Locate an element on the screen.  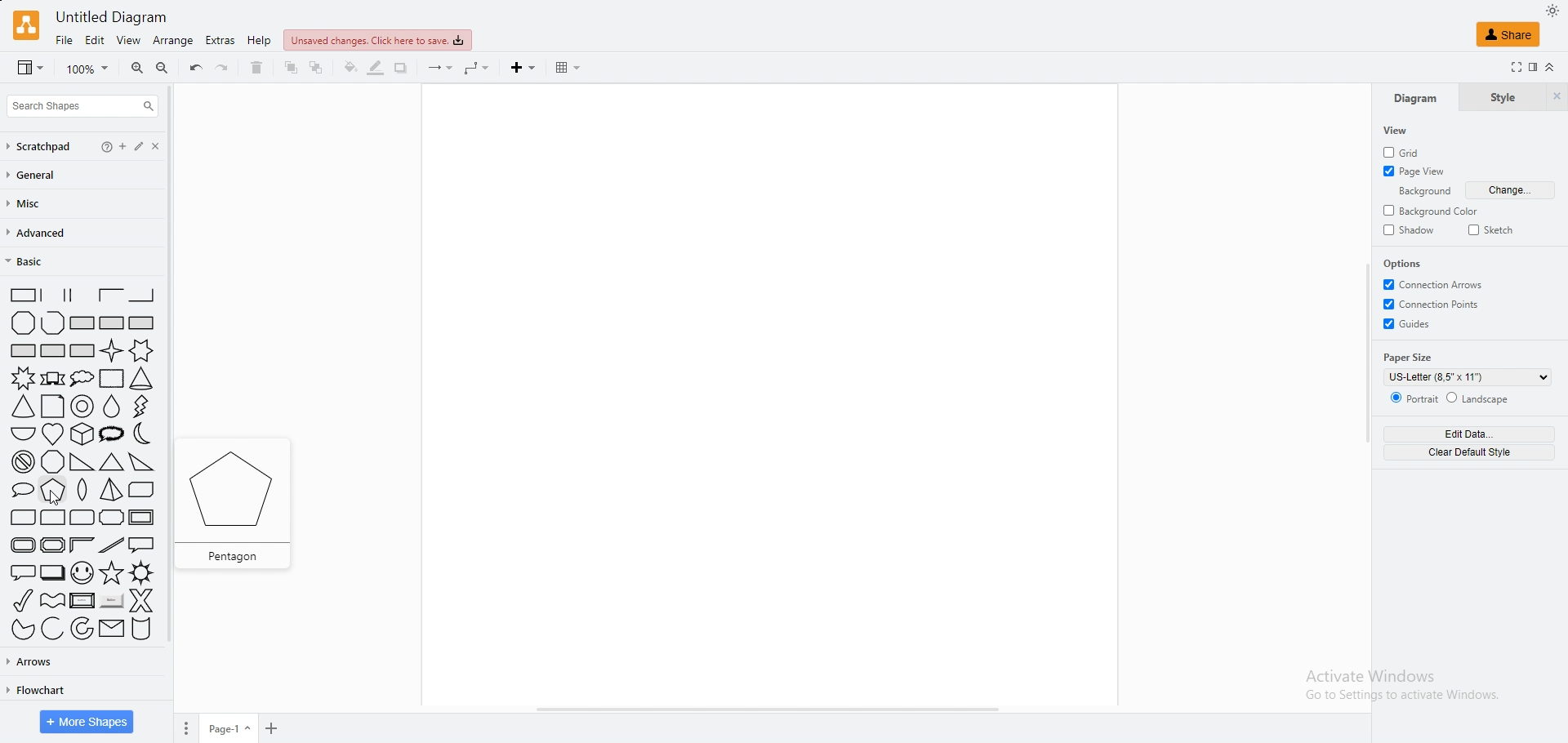
rectangle with vertical fill is located at coordinates (142, 323).